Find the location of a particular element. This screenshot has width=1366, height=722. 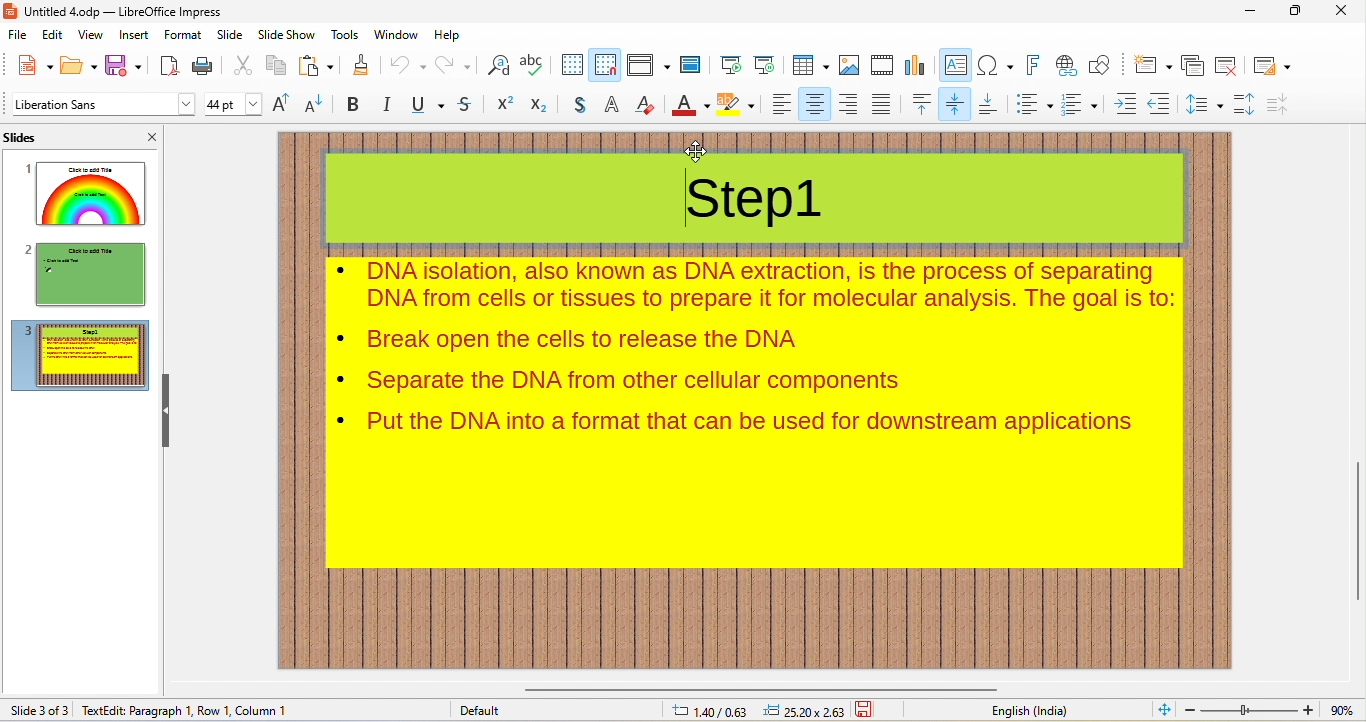

hide is located at coordinates (171, 415).